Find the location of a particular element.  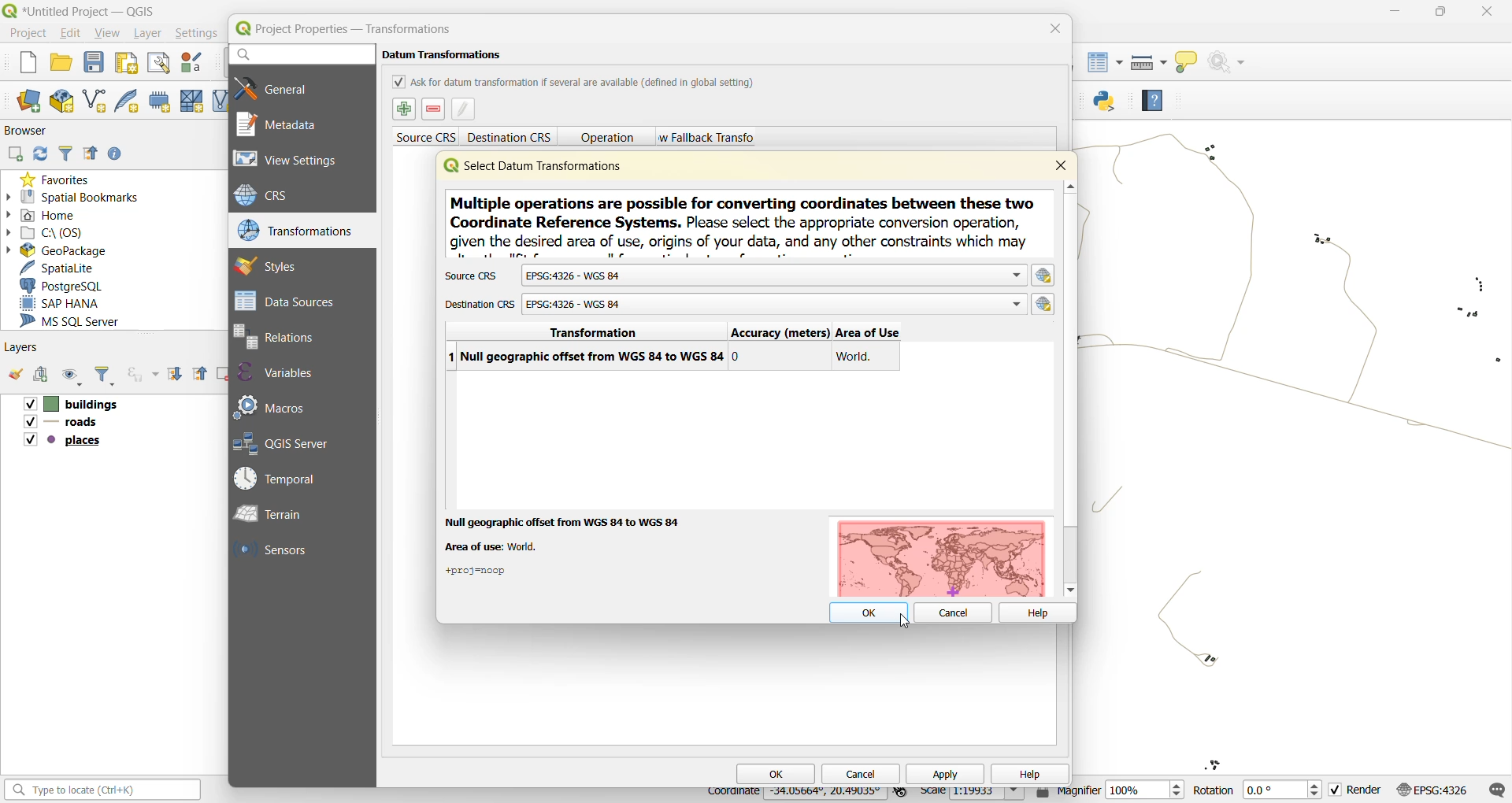

style manager is located at coordinates (192, 62).